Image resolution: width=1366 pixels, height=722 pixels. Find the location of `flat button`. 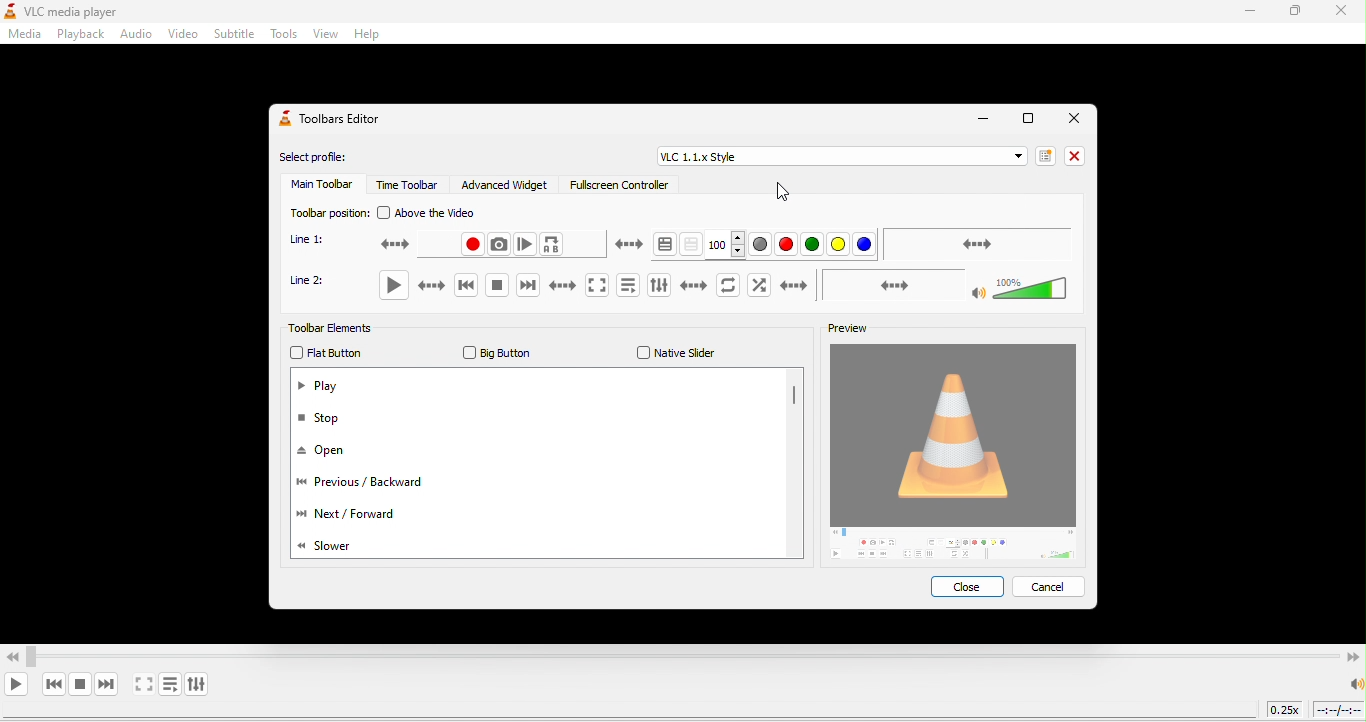

flat button is located at coordinates (328, 354).